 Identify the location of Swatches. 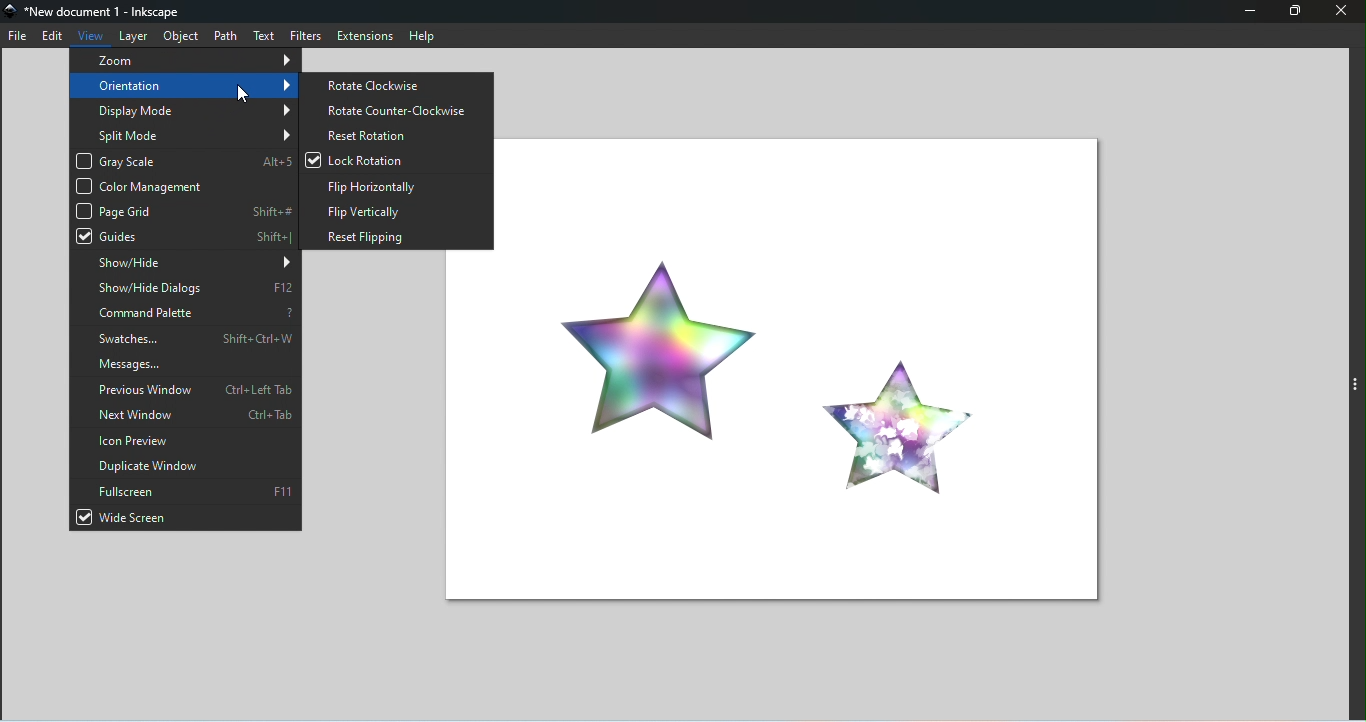
(186, 337).